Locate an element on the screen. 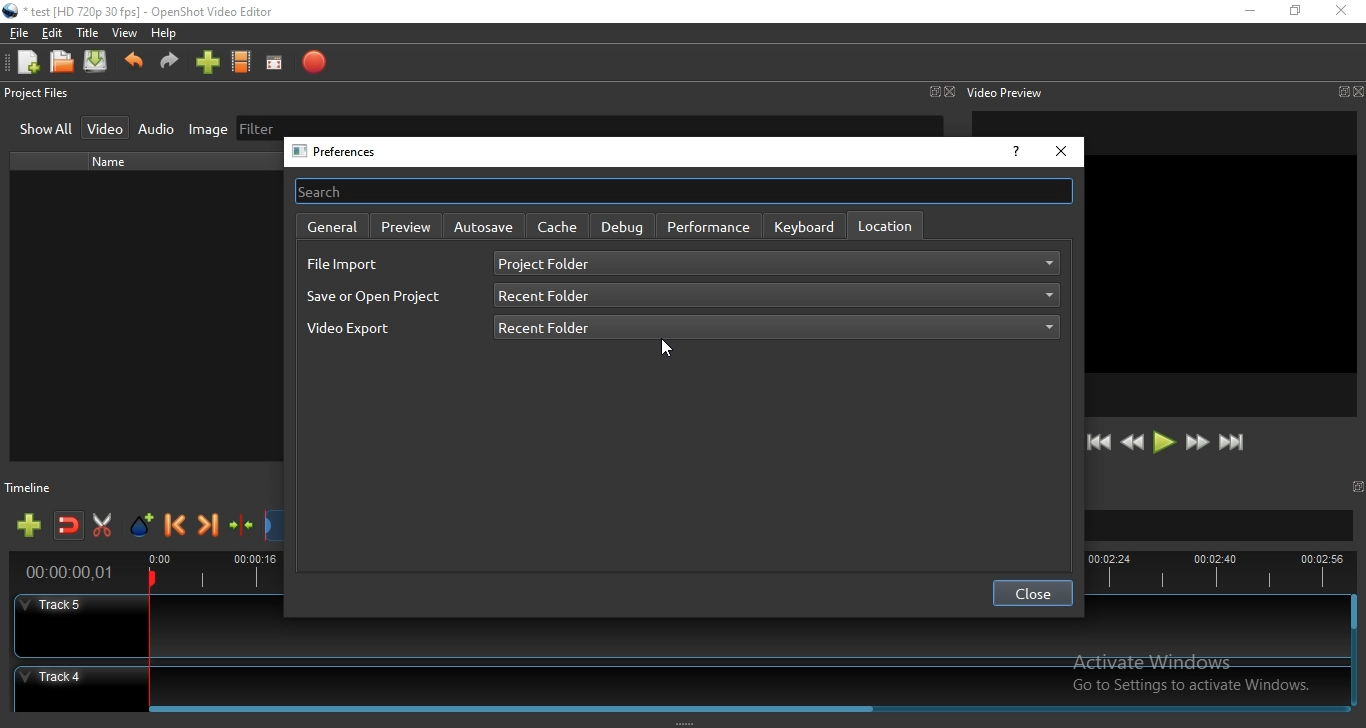  cursor is located at coordinates (670, 350).